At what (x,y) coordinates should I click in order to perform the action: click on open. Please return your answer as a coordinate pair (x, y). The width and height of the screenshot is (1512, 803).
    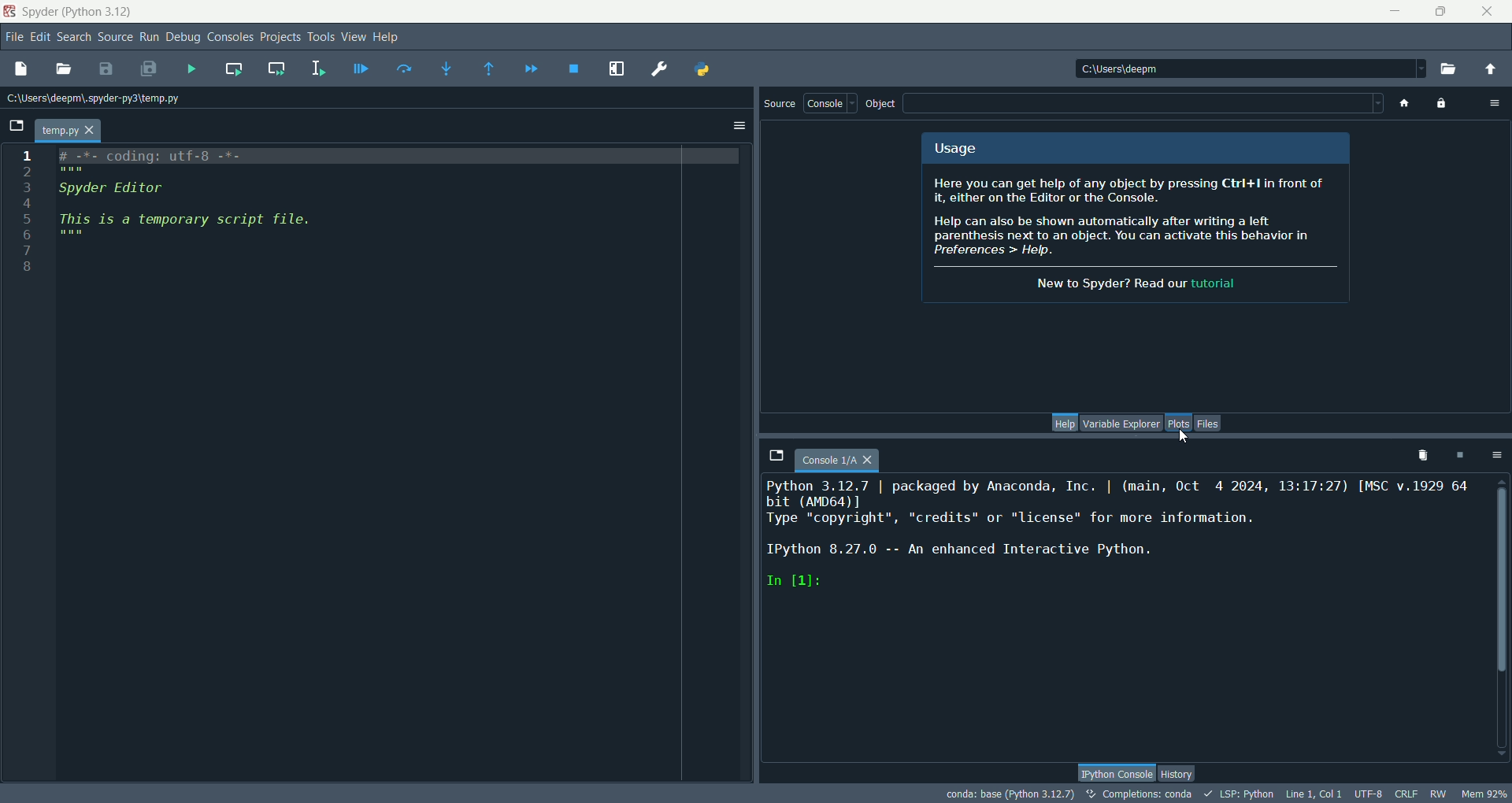
    Looking at the image, I should click on (60, 68).